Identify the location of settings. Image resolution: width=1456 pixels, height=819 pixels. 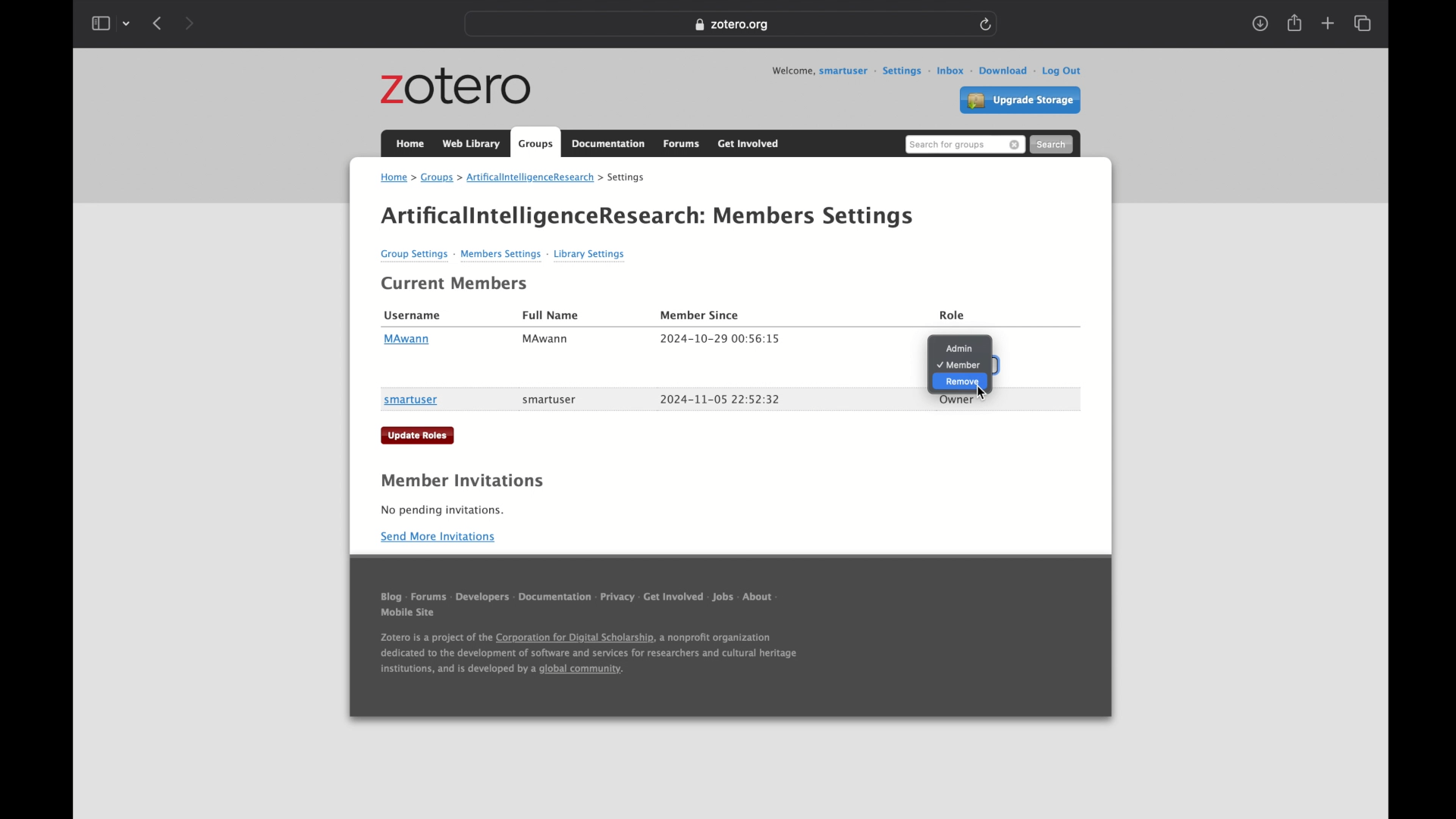
(623, 177).